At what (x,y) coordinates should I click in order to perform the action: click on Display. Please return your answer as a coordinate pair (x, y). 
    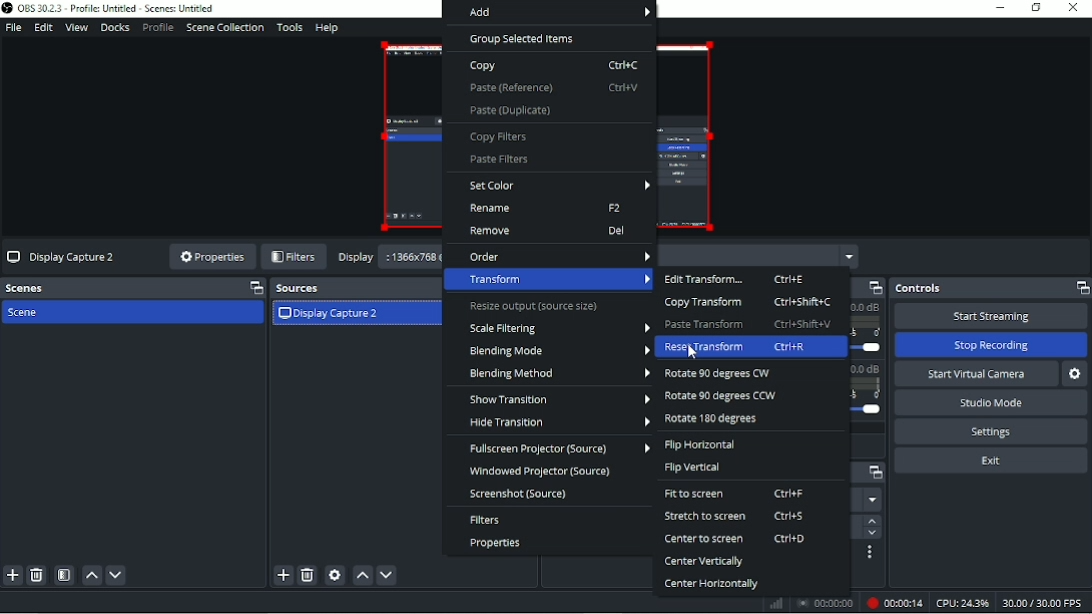
    Looking at the image, I should click on (356, 257).